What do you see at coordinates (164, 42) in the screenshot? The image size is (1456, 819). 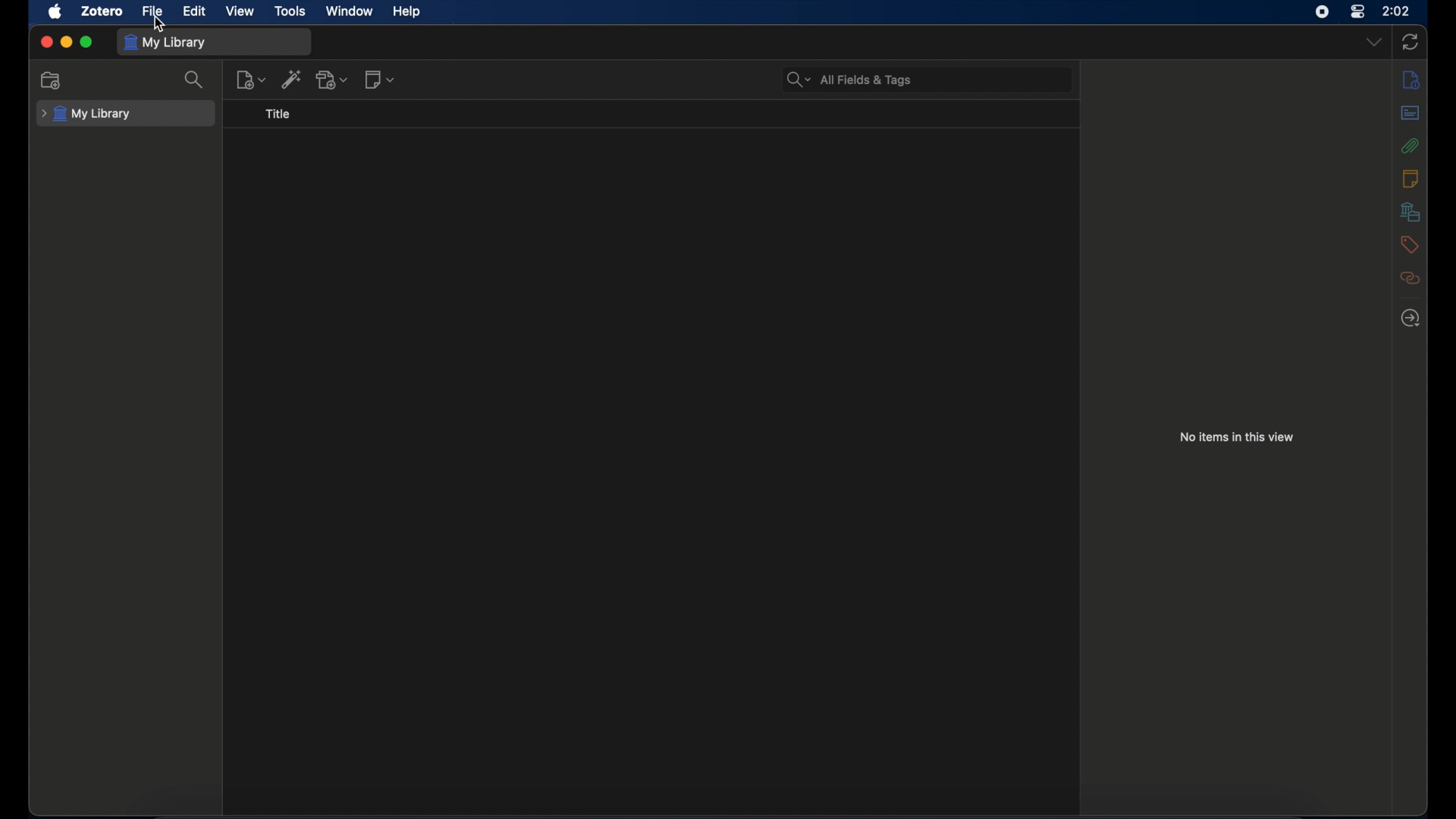 I see `my library` at bounding box center [164, 42].